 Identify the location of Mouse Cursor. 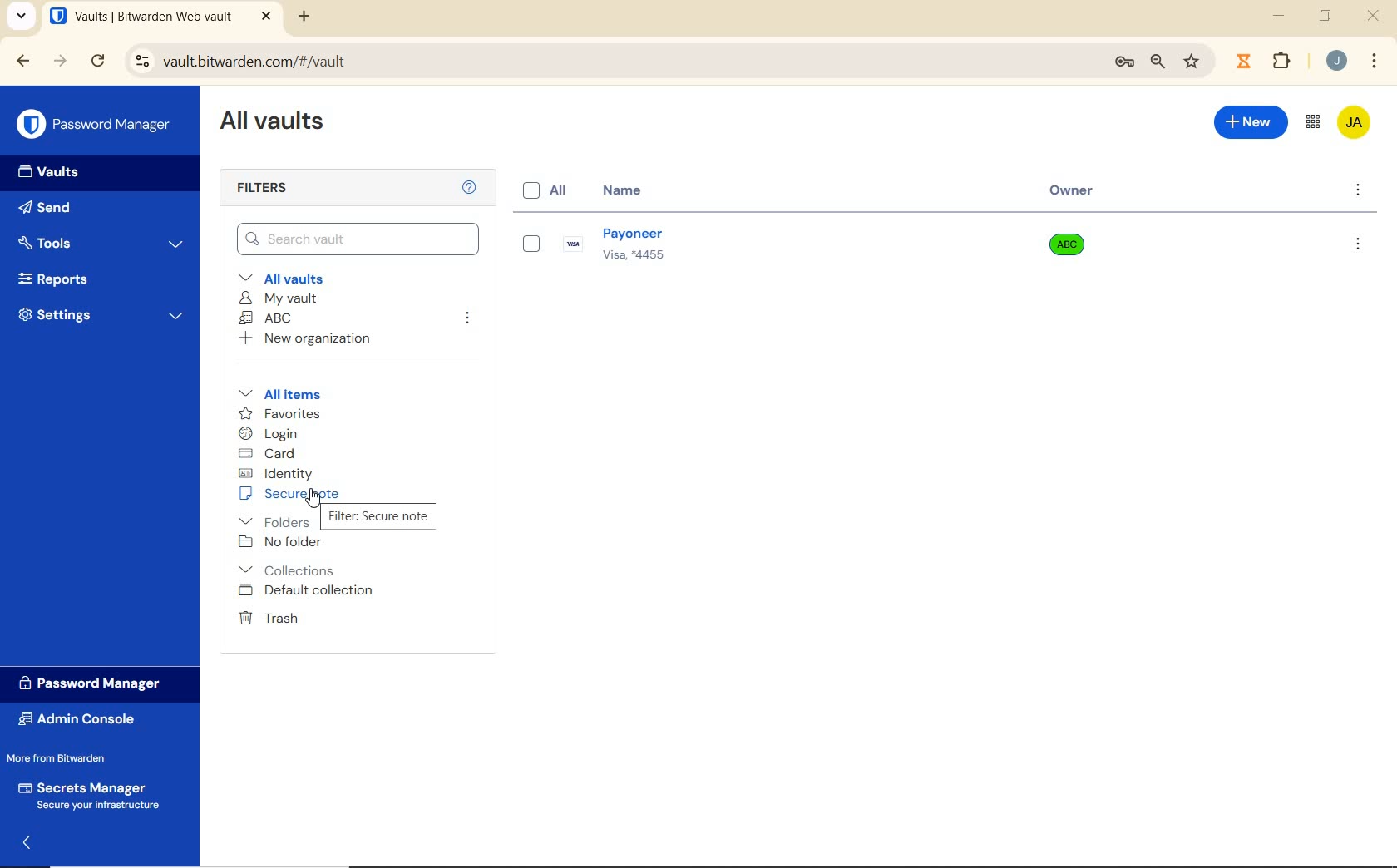
(314, 501).